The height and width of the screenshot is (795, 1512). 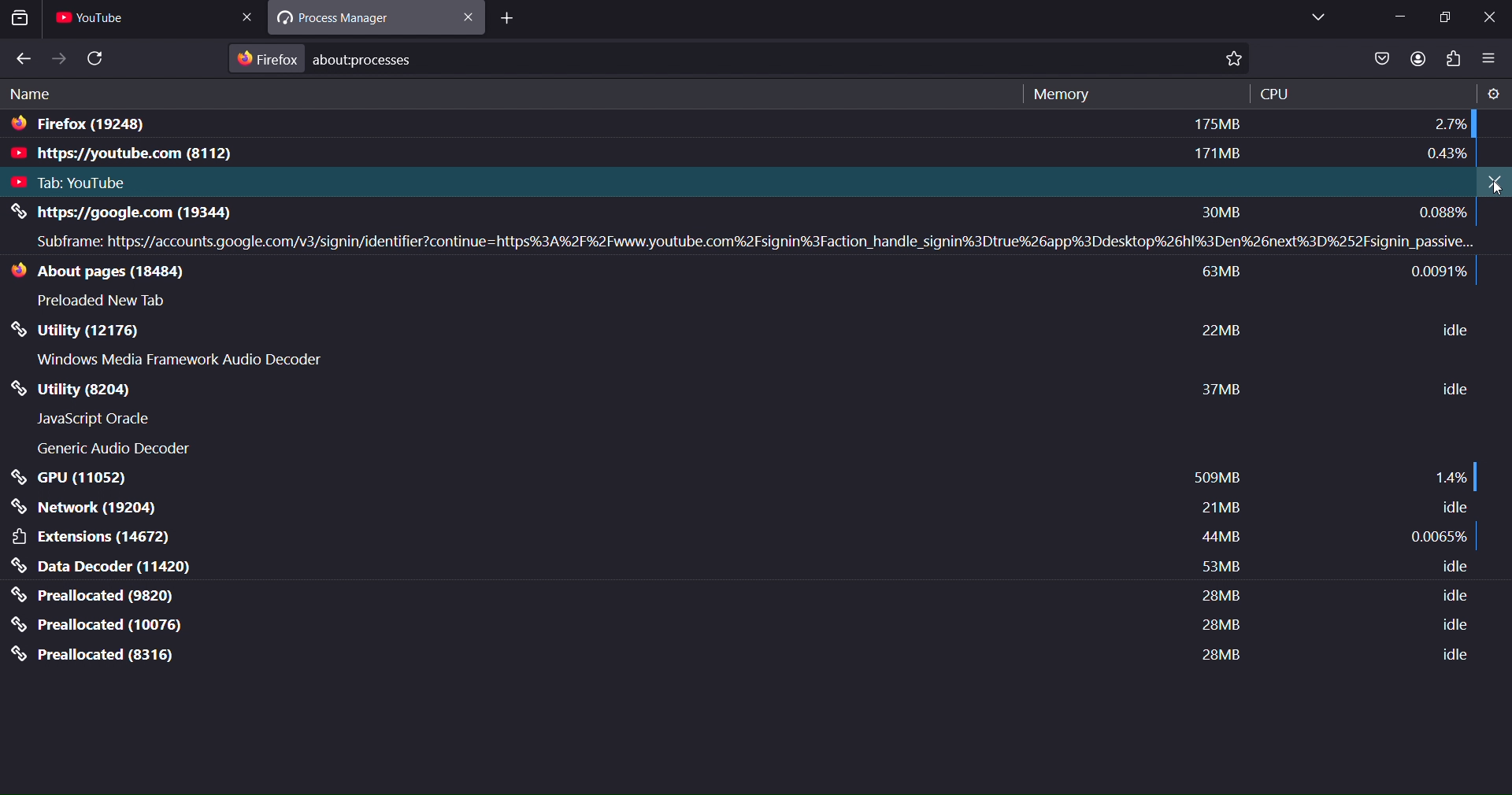 What do you see at coordinates (98, 595) in the screenshot?
I see `preallocated` at bounding box center [98, 595].